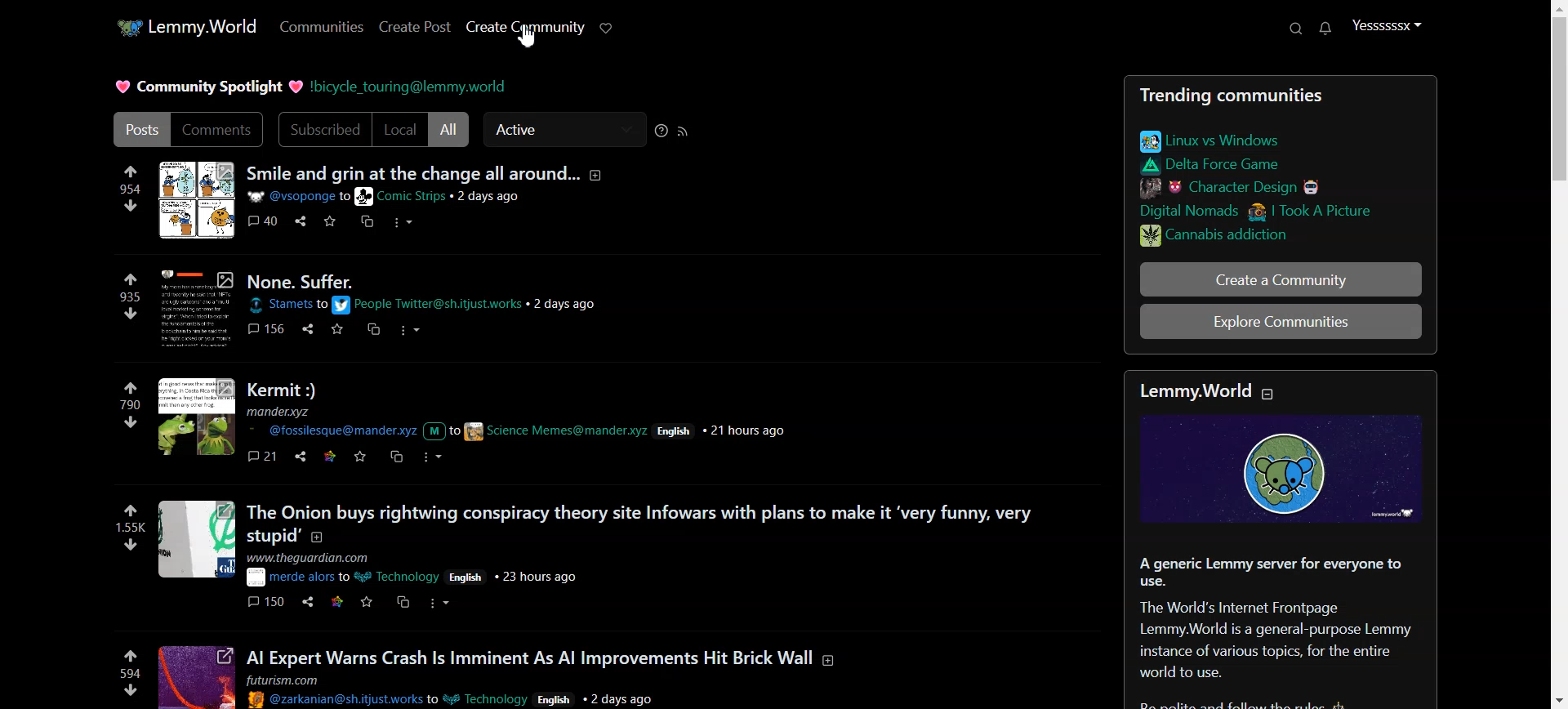 The width and height of the screenshot is (1568, 709). What do you see at coordinates (412, 89) in the screenshot?
I see `Lemmy Hyperlink` at bounding box center [412, 89].